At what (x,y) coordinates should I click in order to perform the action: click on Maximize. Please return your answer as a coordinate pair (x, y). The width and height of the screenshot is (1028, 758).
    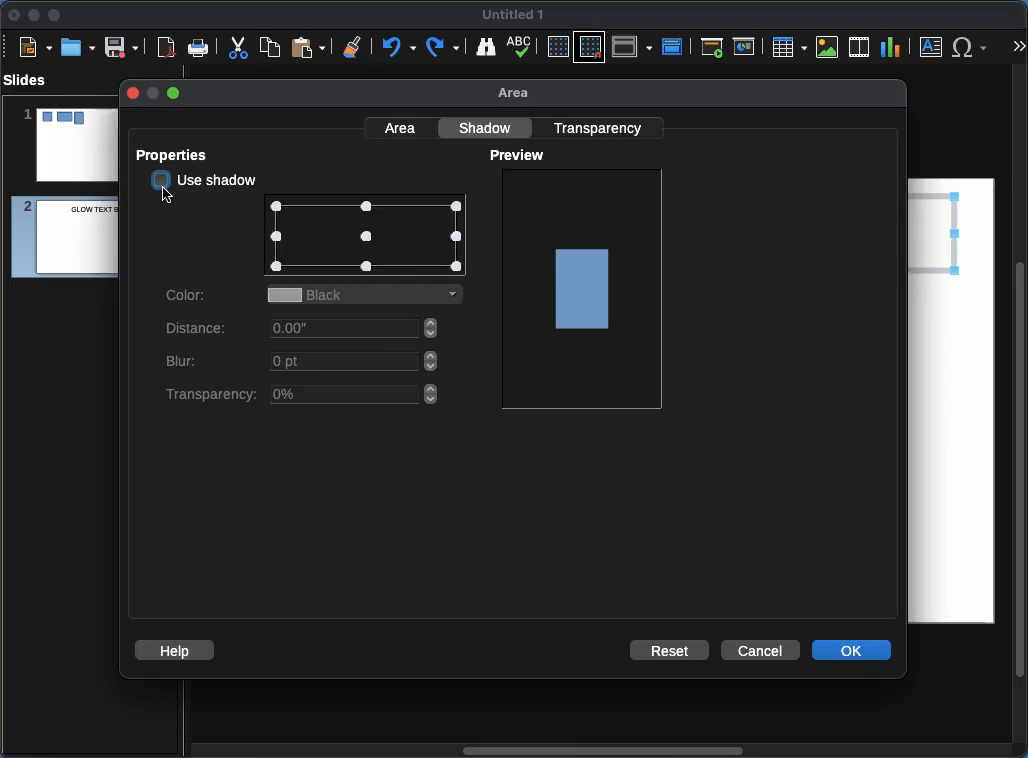
    Looking at the image, I should click on (55, 17).